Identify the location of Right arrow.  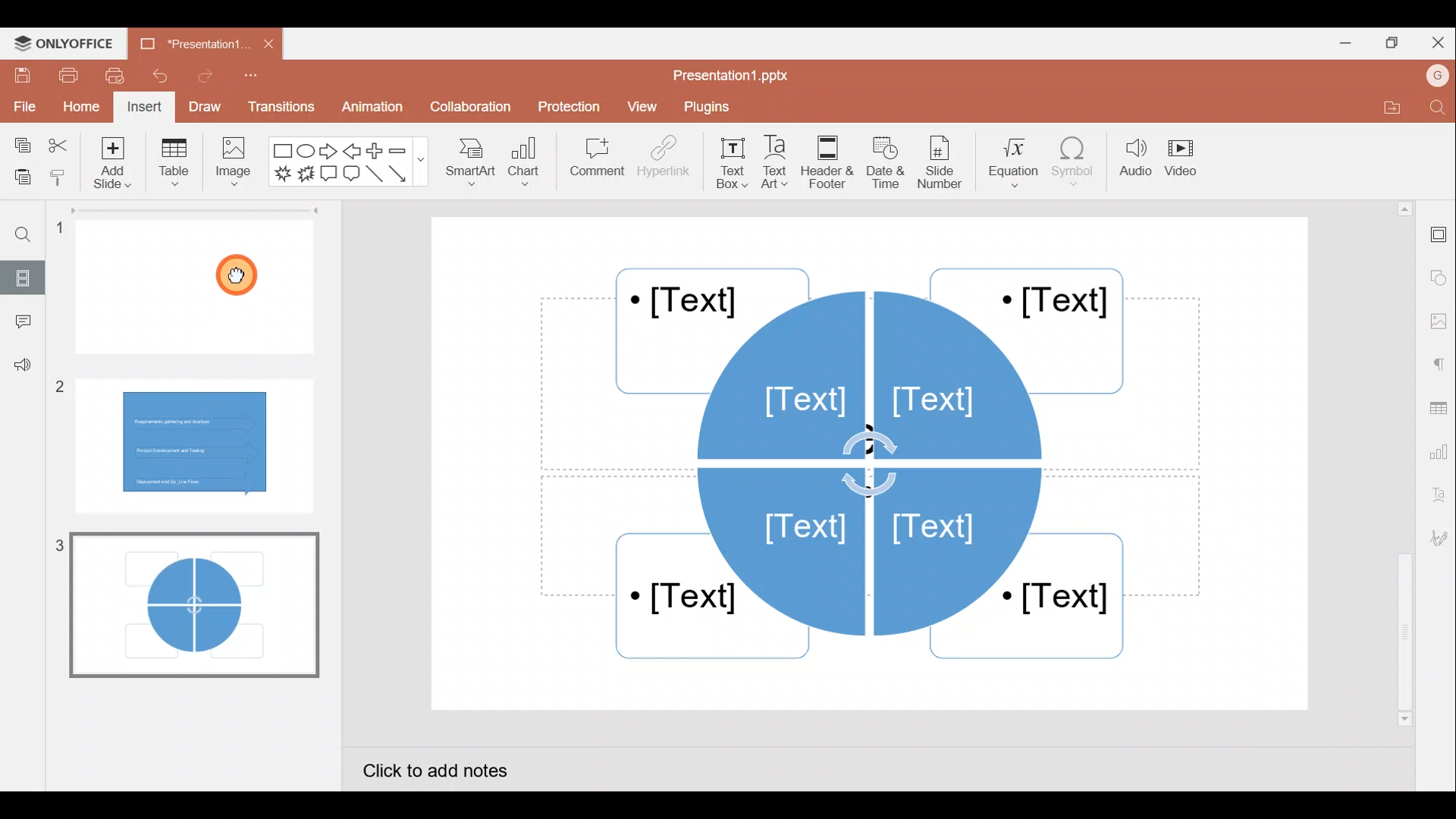
(329, 152).